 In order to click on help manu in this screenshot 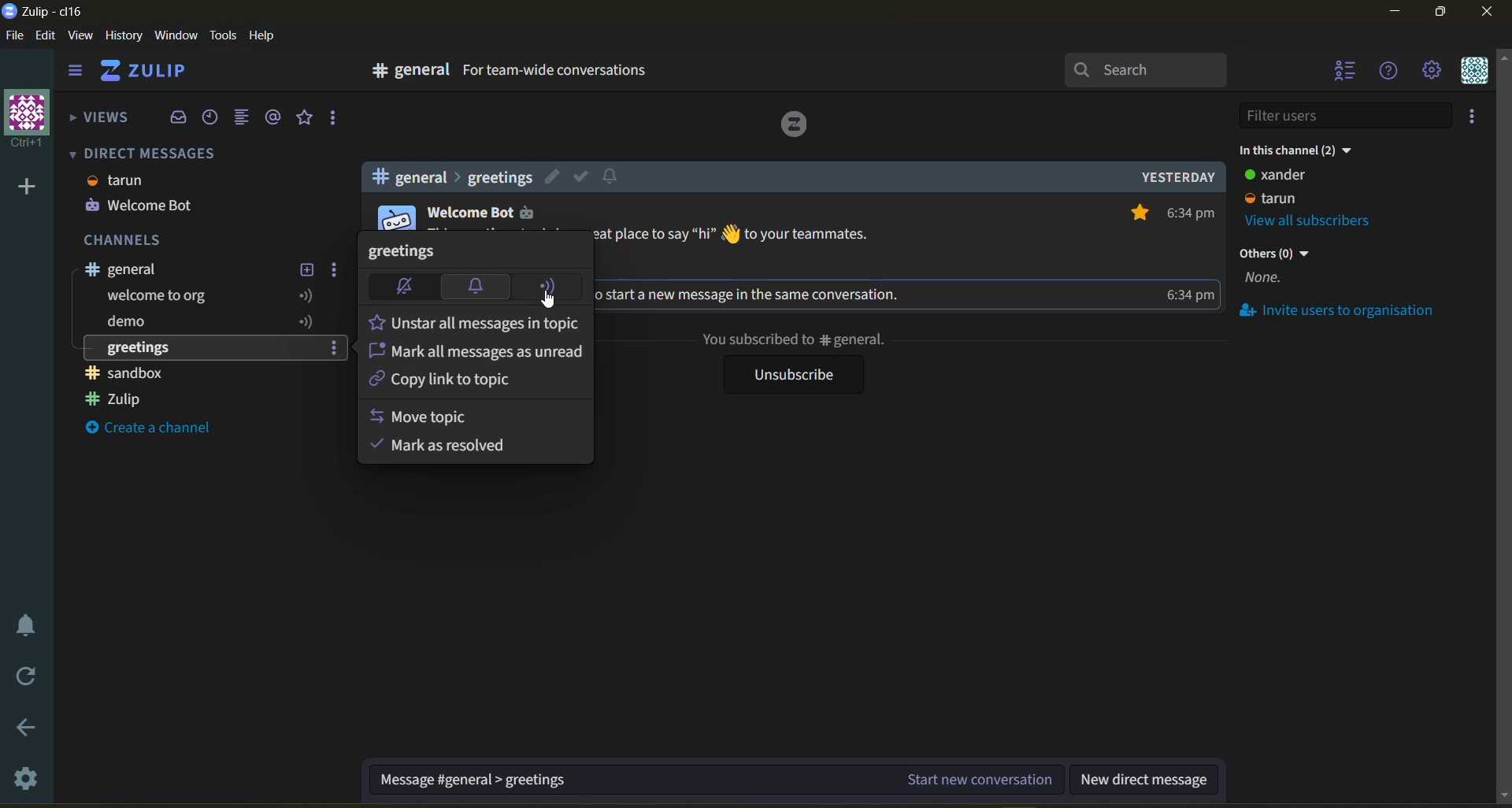, I will do `click(1390, 71)`.